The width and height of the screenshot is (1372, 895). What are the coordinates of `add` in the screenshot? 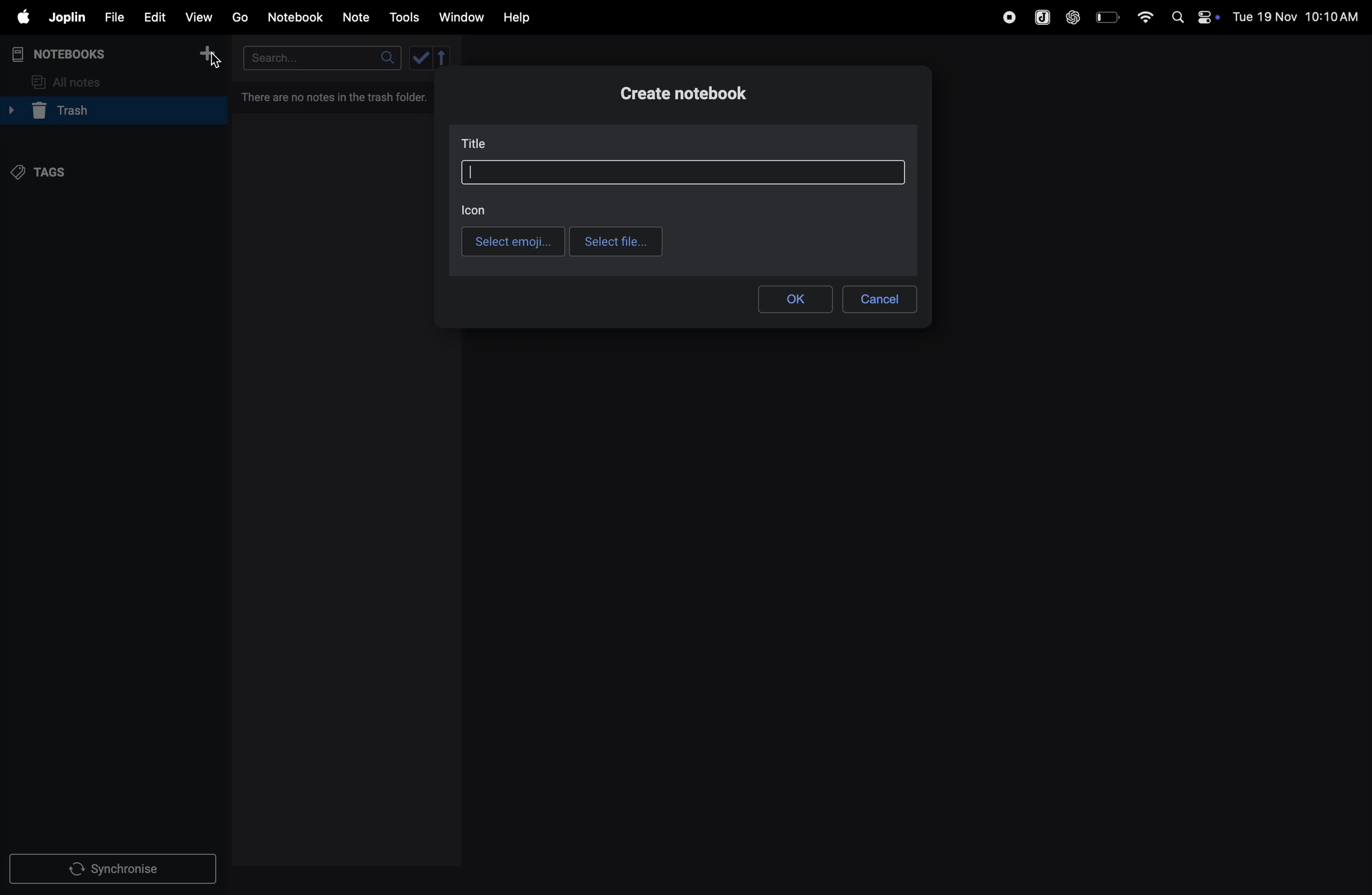 It's located at (212, 54).